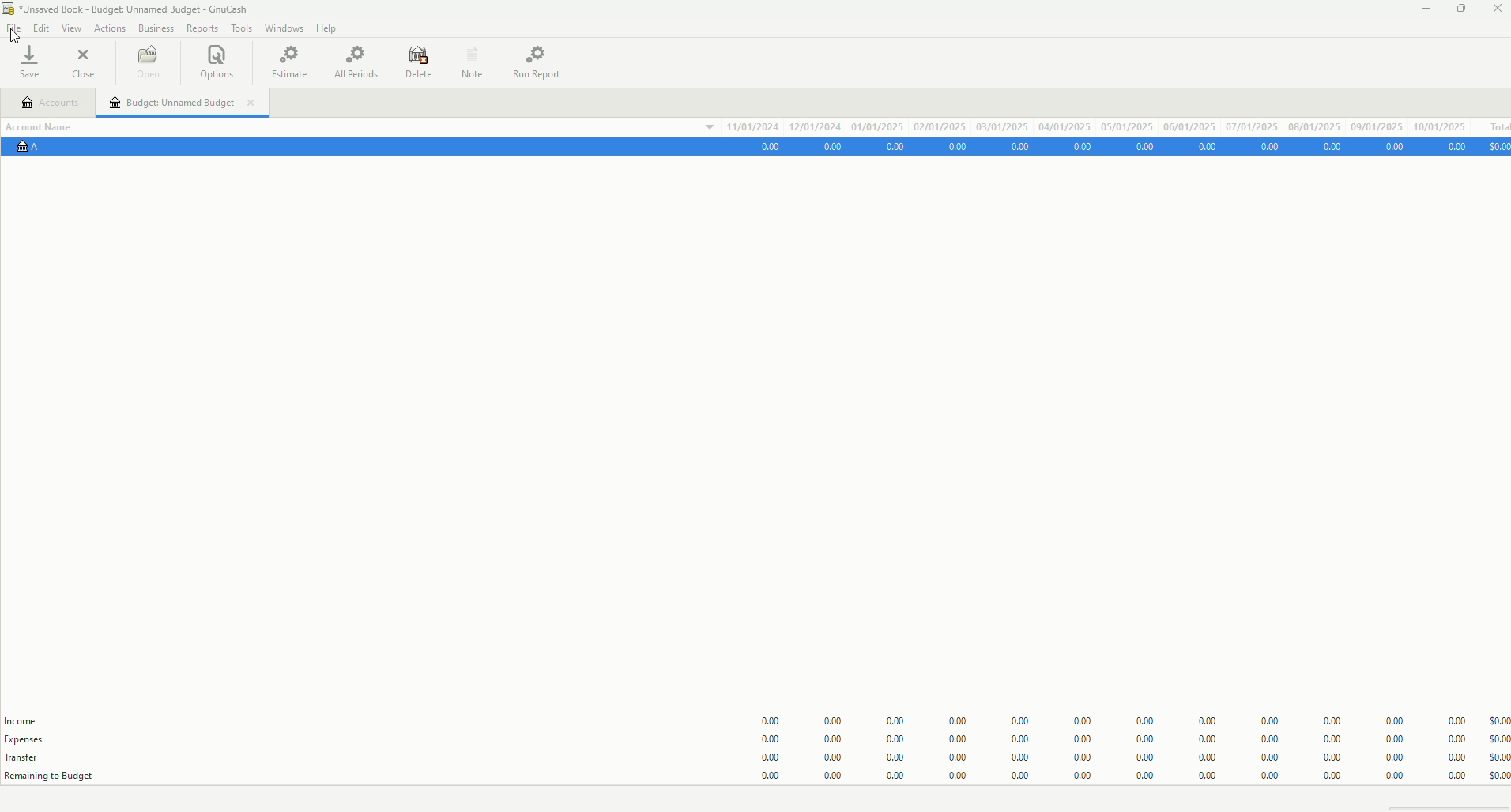  Describe the element at coordinates (135, 9) in the screenshot. I see `Unsaved book` at that location.